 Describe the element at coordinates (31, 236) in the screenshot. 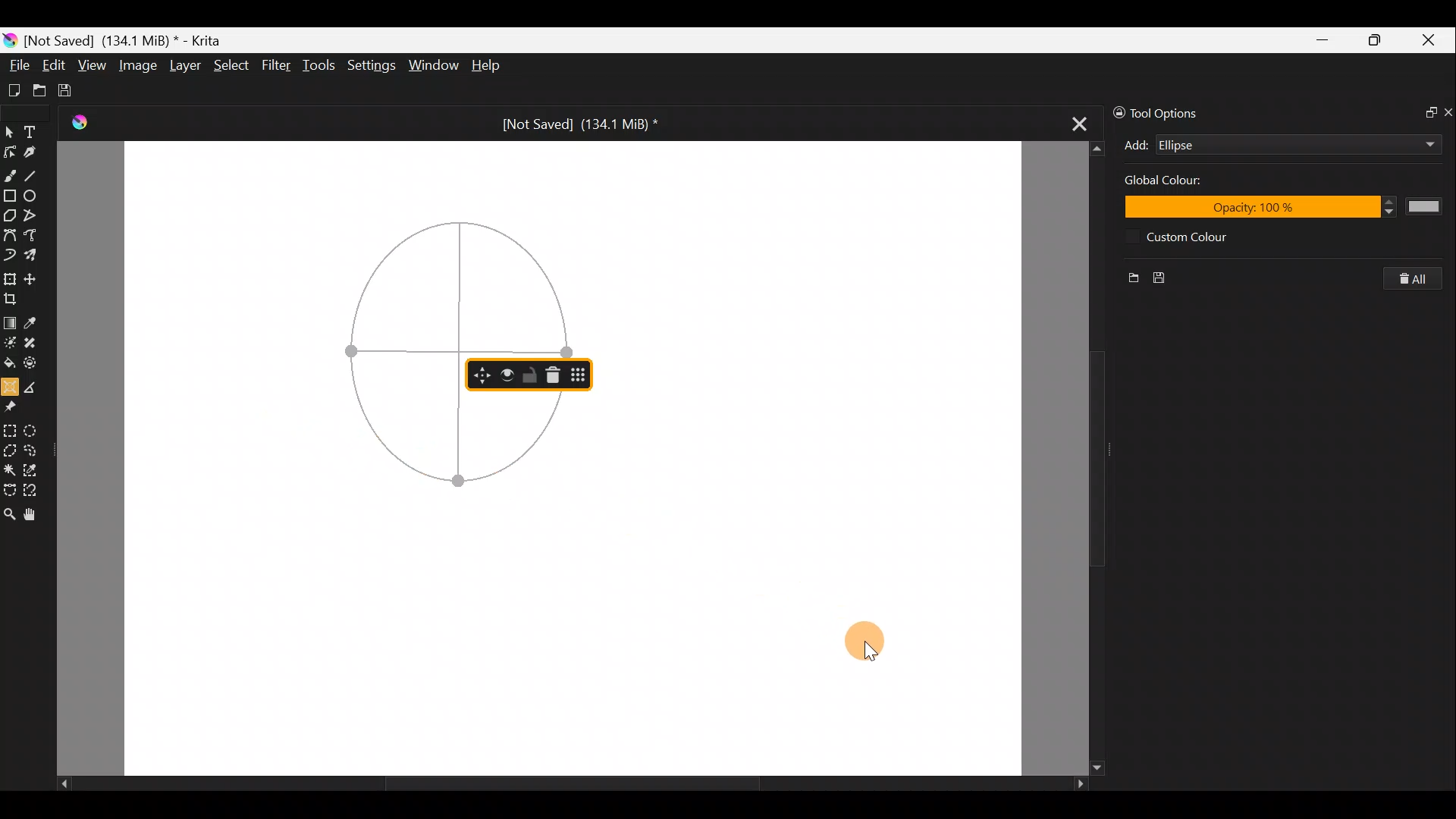

I see `Freehand path tool` at that location.